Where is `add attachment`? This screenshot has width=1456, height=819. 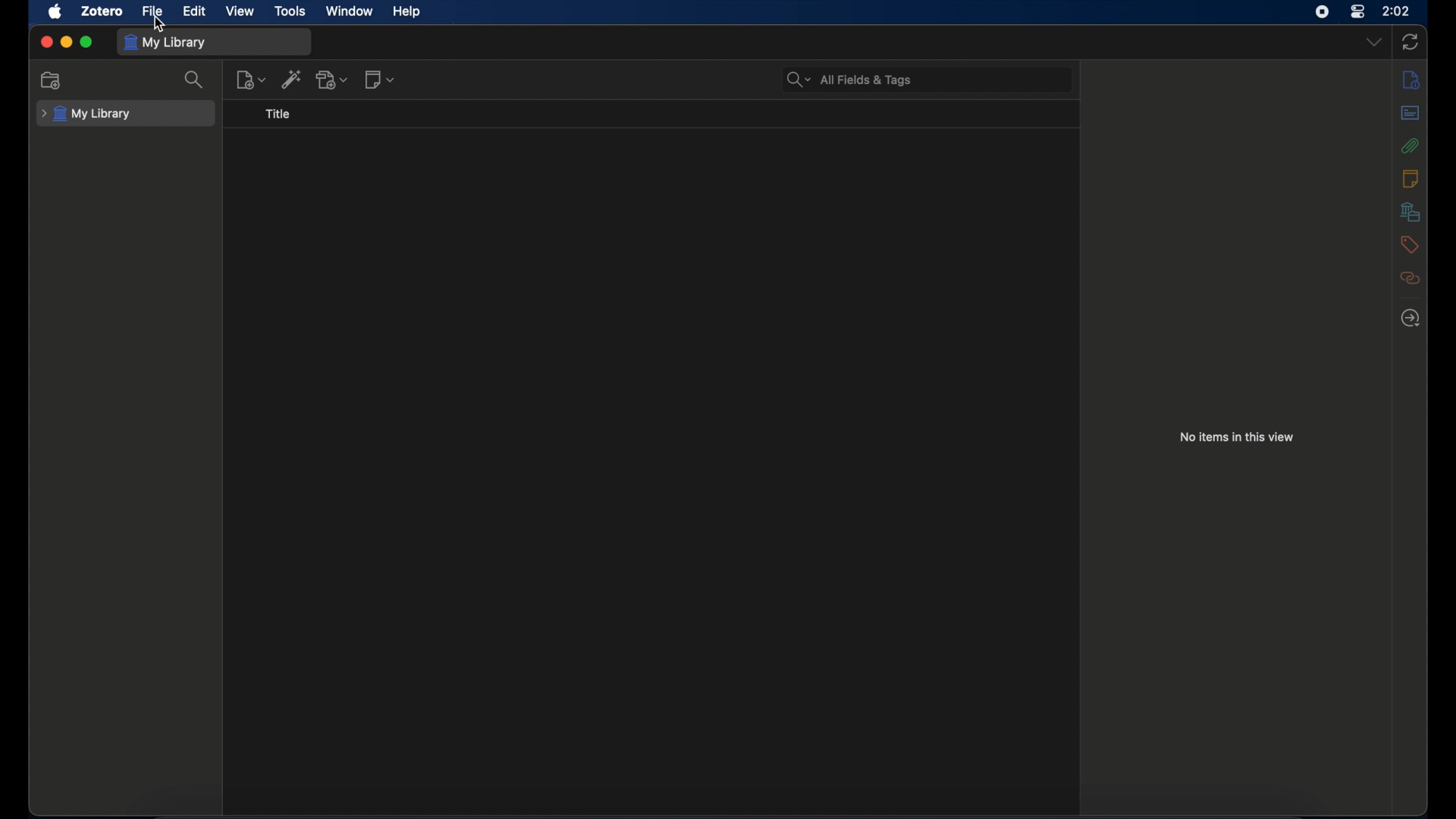
add attachment is located at coordinates (333, 79).